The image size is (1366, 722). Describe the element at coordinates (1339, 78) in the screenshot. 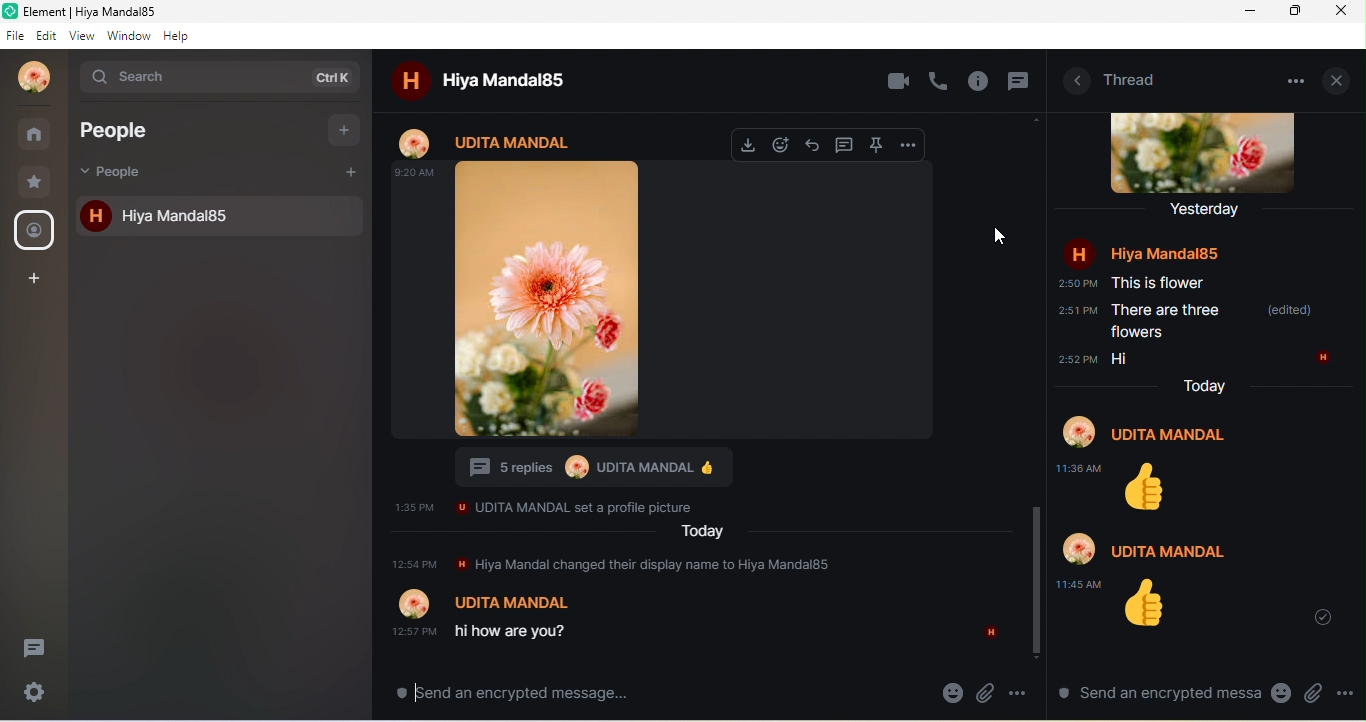

I see `close` at that location.